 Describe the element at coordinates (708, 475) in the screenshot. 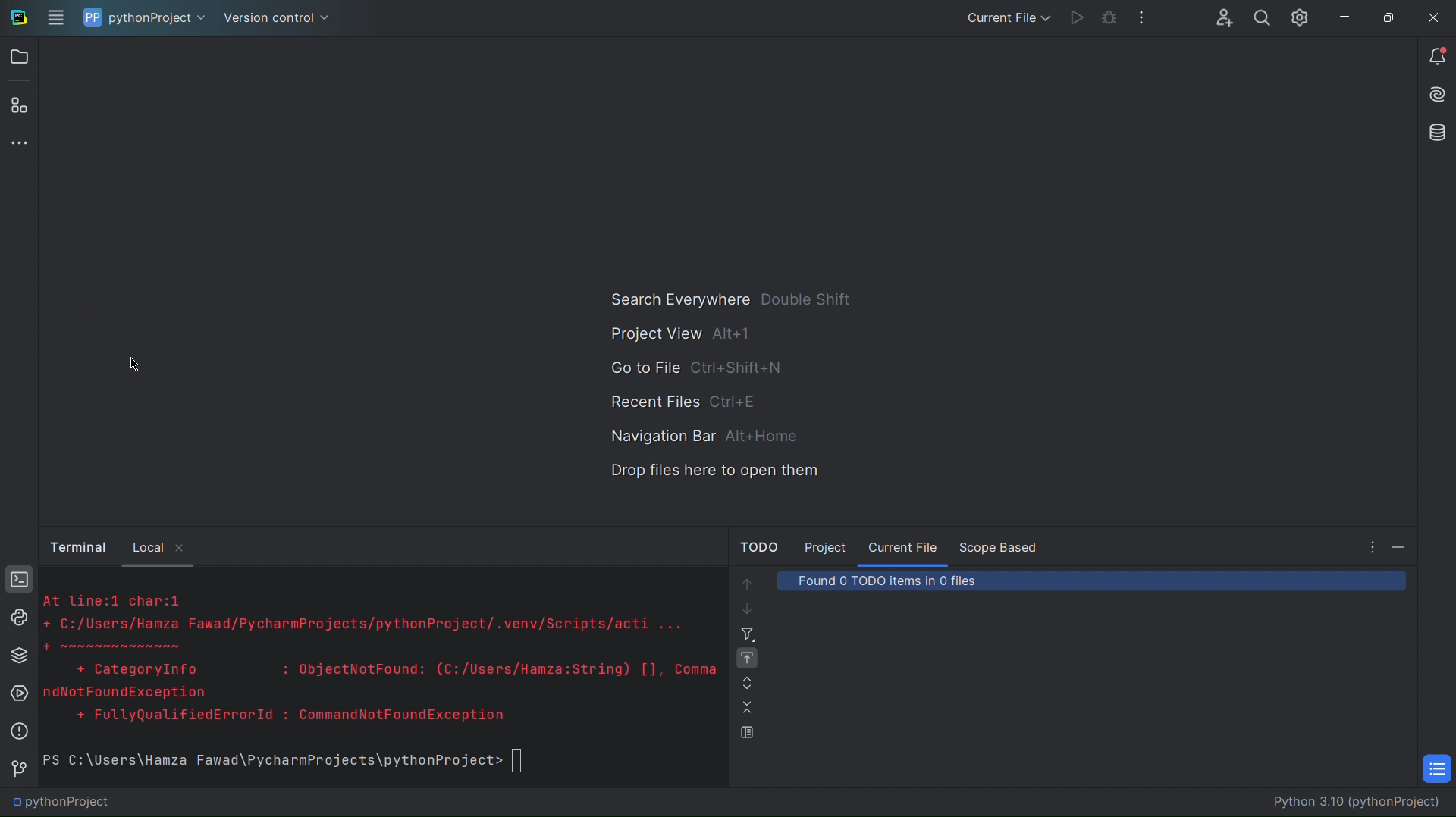

I see `Drop Files Here to Open Them` at that location.